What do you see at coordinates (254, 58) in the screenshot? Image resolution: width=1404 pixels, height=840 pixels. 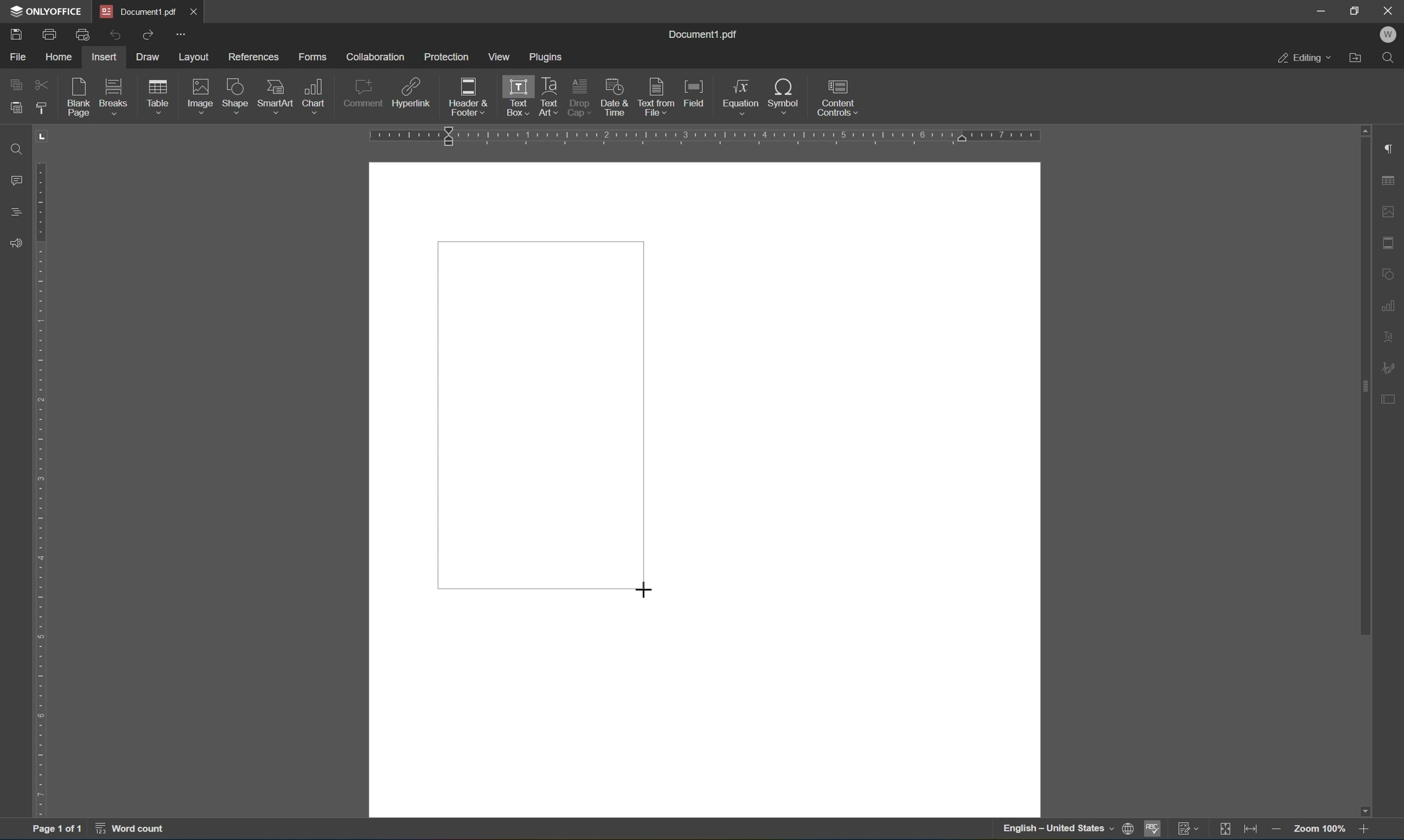 I see `references` at bounding box center [254, 58].